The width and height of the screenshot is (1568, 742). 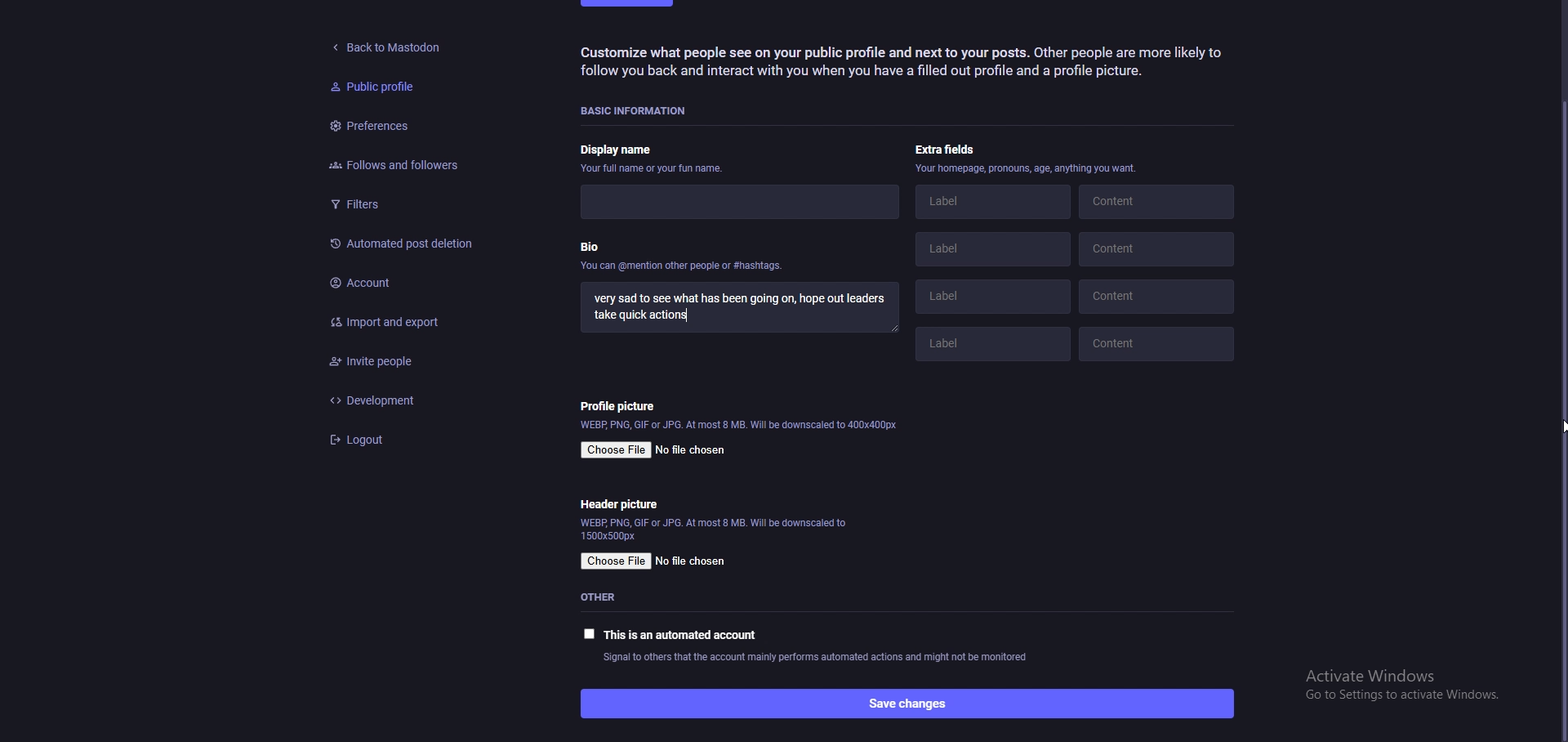 I want to click on no file chosen, so click(x=693, y=561).